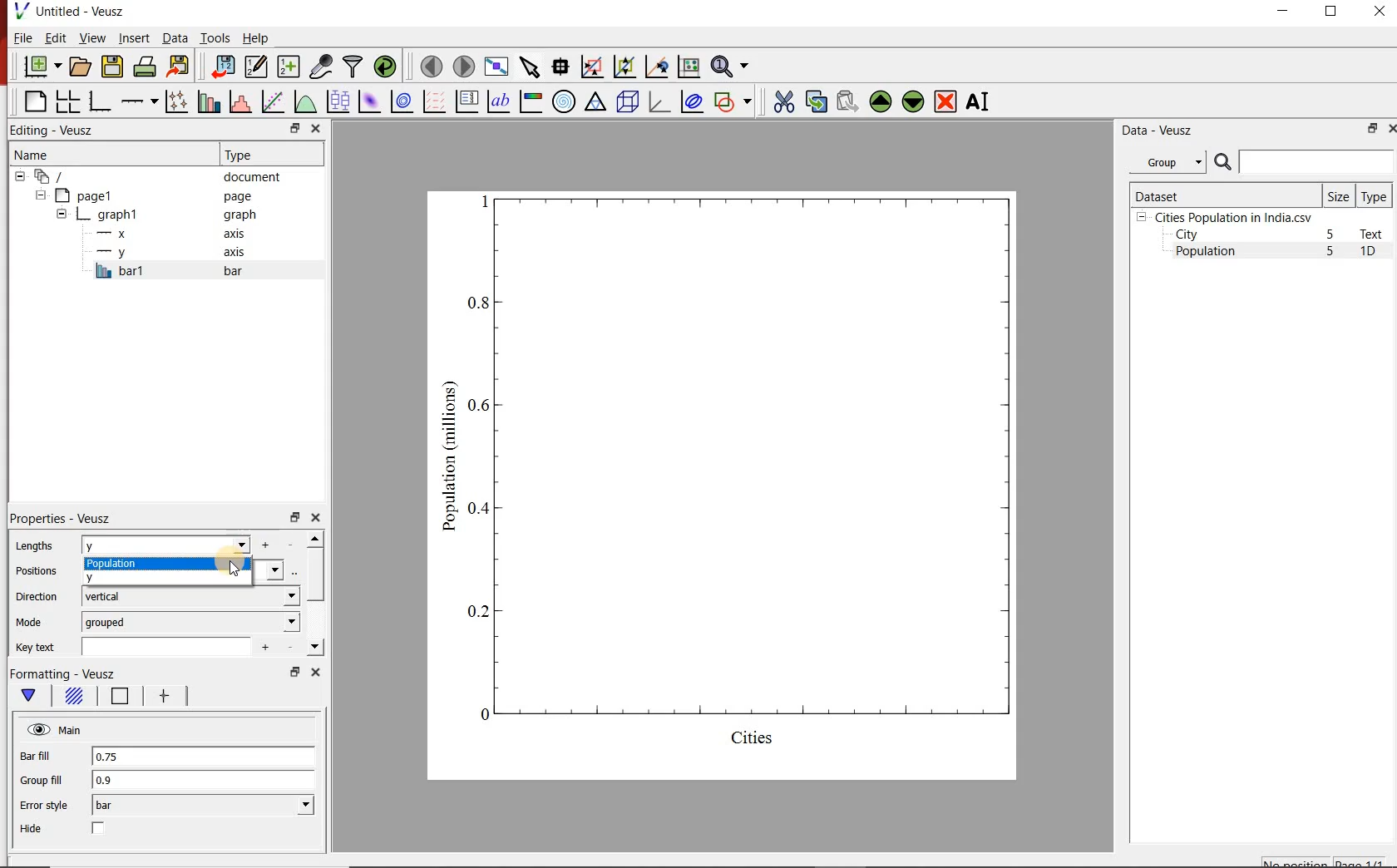  I want to click on restore, so click(1373, 128).